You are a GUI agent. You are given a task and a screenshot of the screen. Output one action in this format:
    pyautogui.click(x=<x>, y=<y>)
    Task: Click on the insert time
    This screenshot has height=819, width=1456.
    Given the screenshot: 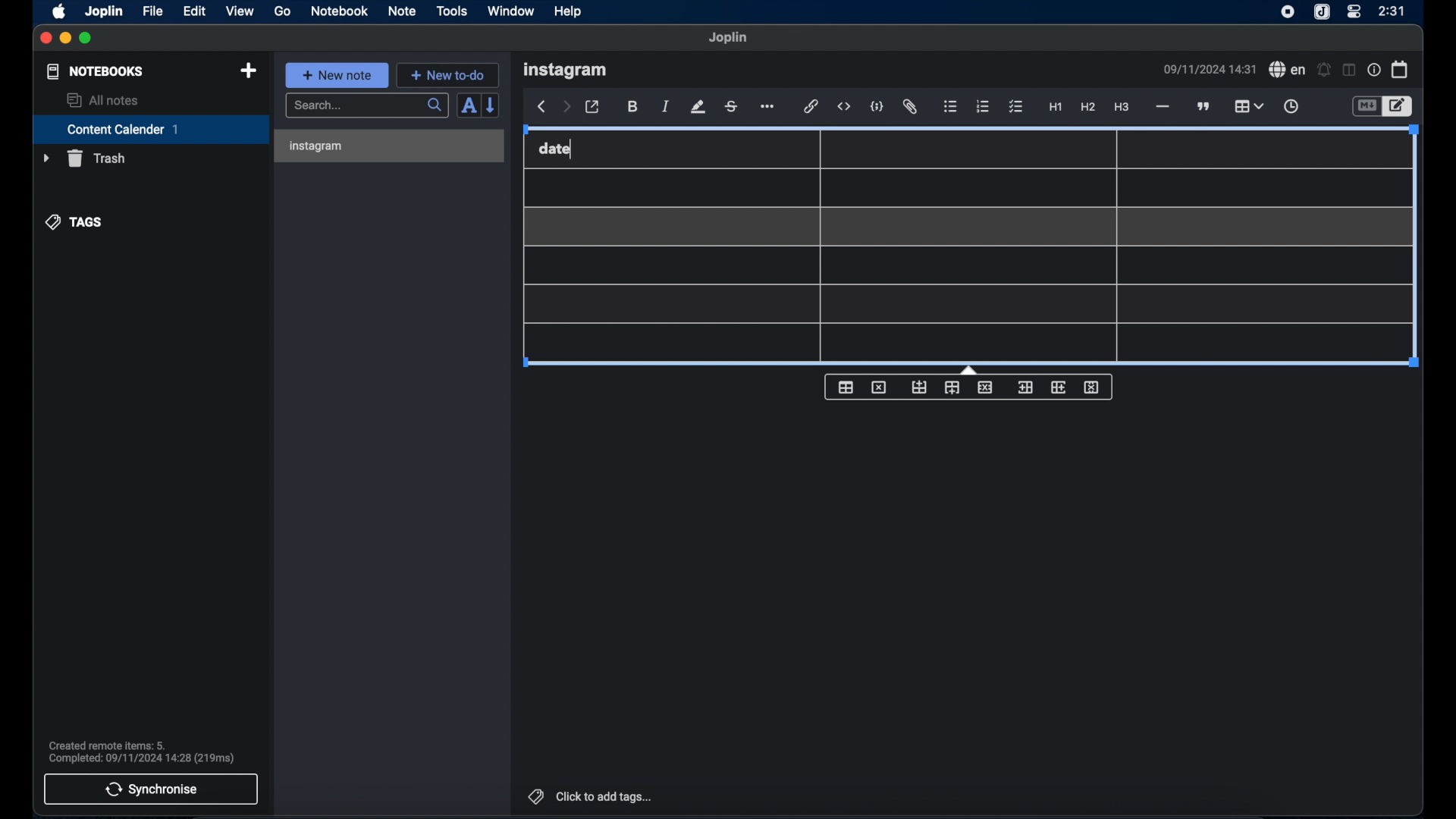 What is the action you would take?
    pyautogui.click(x=1292, y=106)
    